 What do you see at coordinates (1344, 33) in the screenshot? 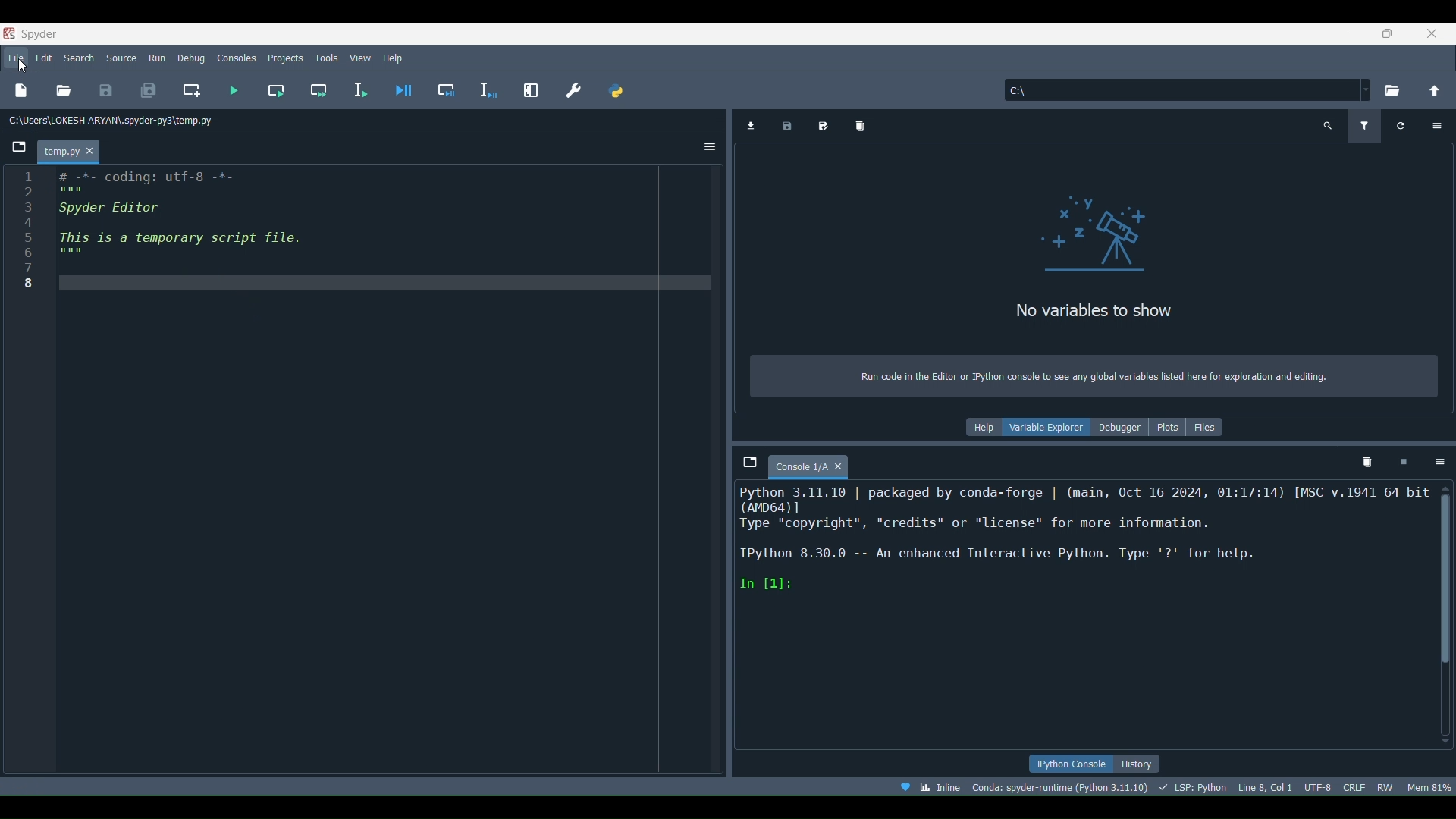
I see `minimize` at bounding box center [1344, 33].